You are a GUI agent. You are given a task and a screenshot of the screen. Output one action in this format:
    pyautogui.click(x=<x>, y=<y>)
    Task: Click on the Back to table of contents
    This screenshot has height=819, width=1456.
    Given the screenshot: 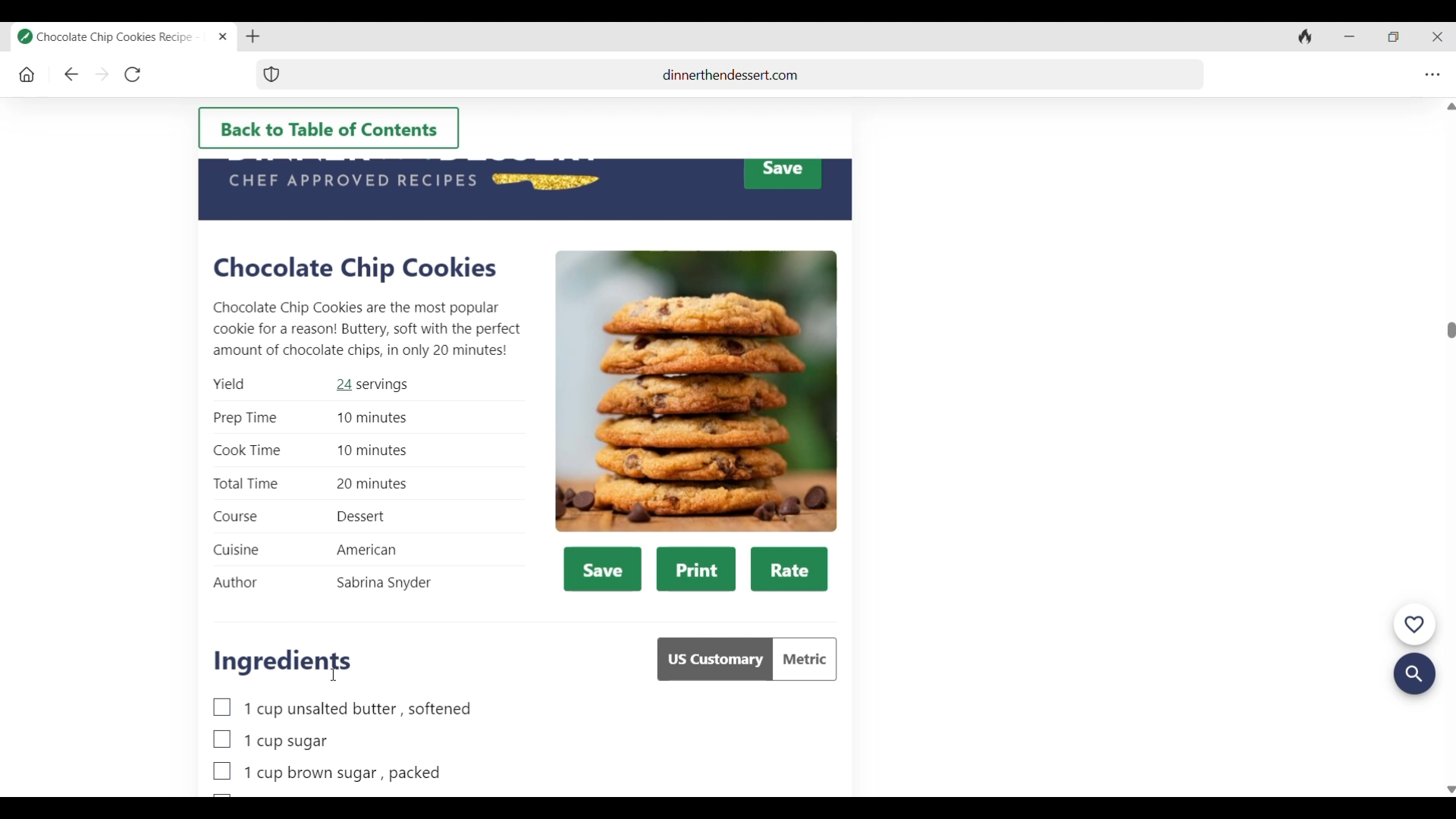 What is the action you would take?
    pyautogui.click(x=328, y=128)
    